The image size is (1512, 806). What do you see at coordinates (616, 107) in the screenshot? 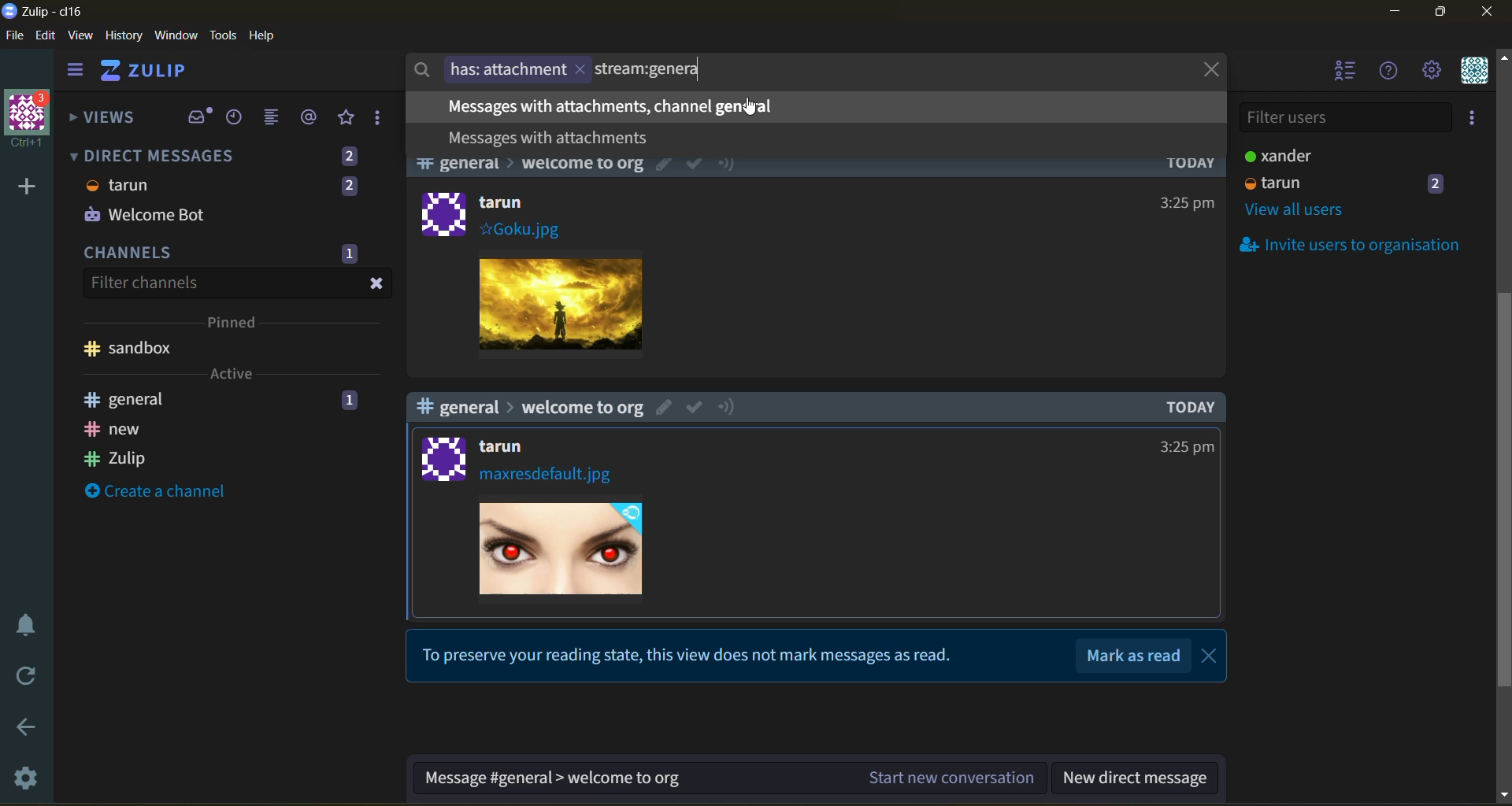
I see `Messages with attachments, channel general` at bounding box center [616, 107].